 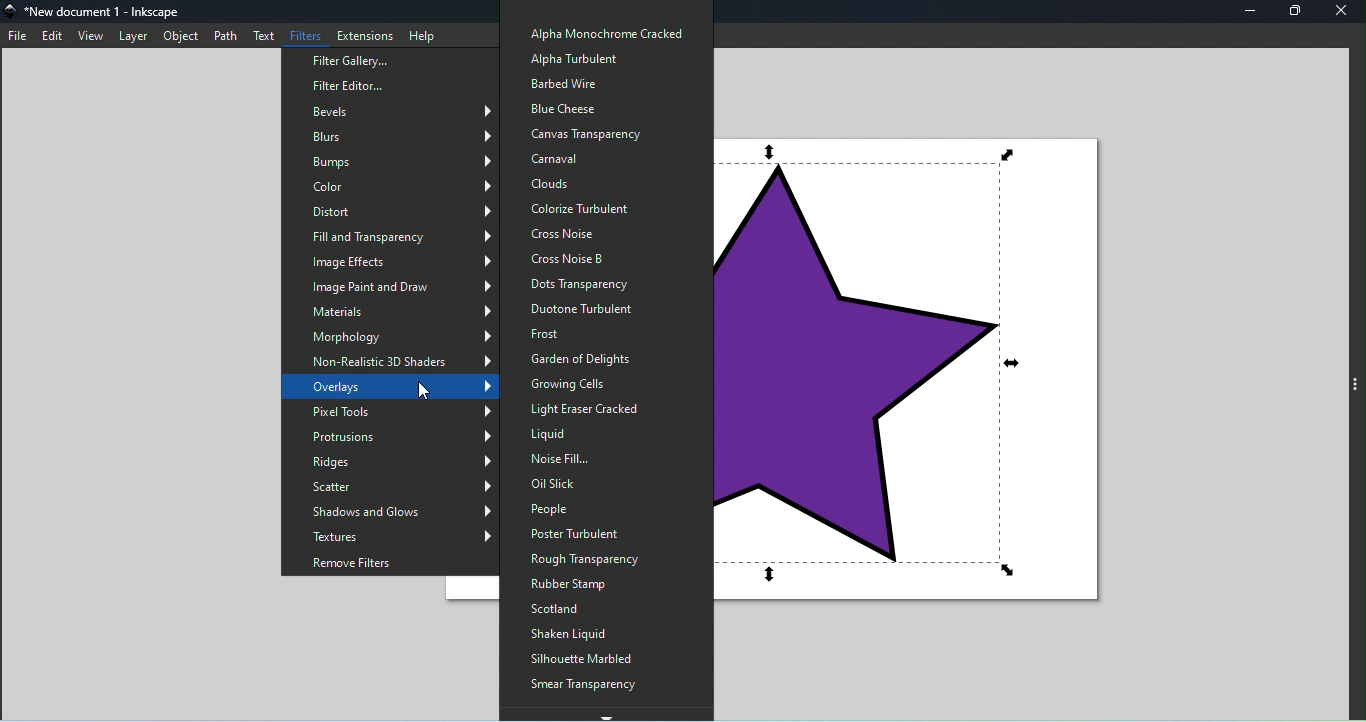 I want to click on Layer, so click(x=135, y=36).